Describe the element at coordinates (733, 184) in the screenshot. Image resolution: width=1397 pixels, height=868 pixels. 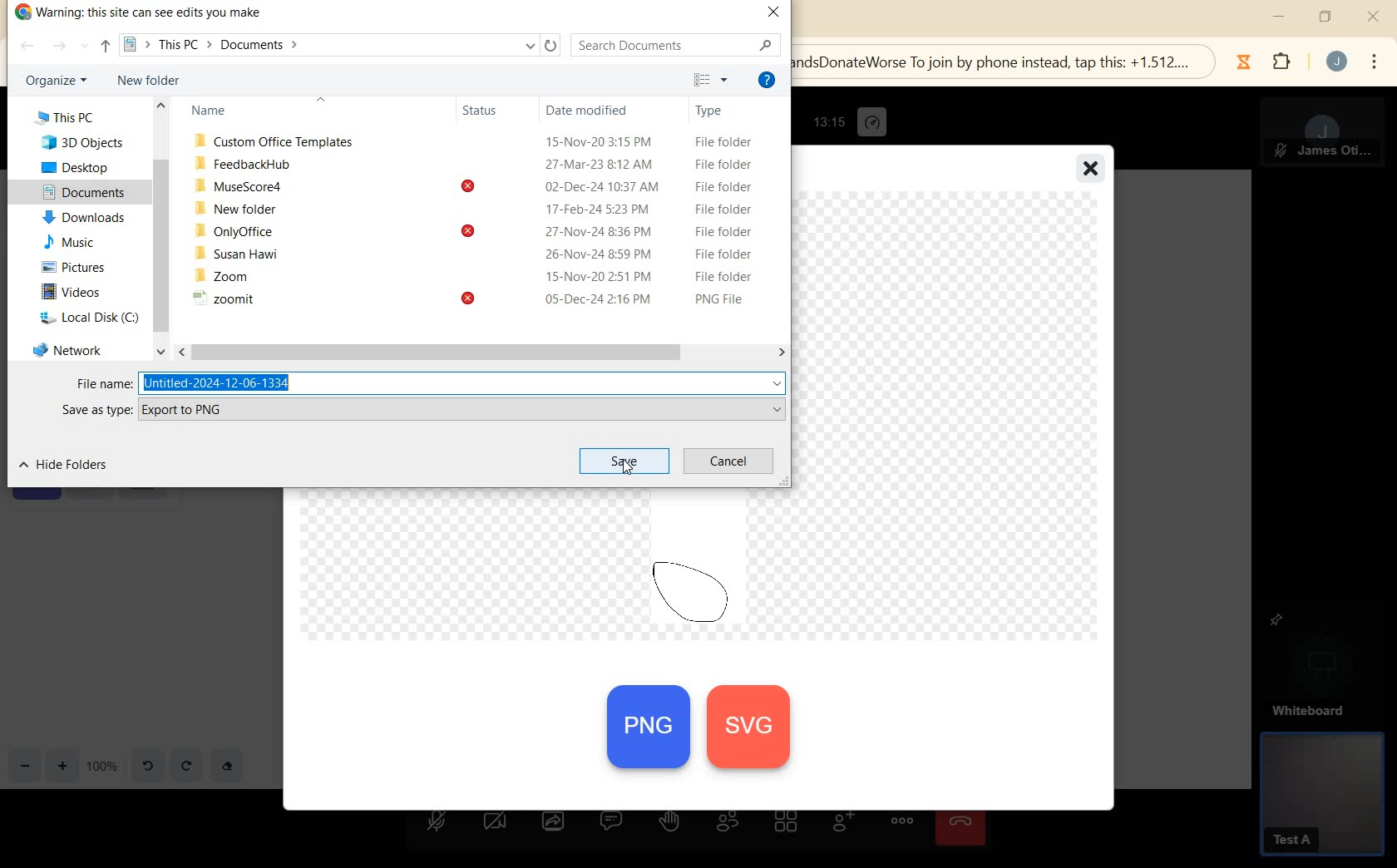
I see `File folder` at that location.